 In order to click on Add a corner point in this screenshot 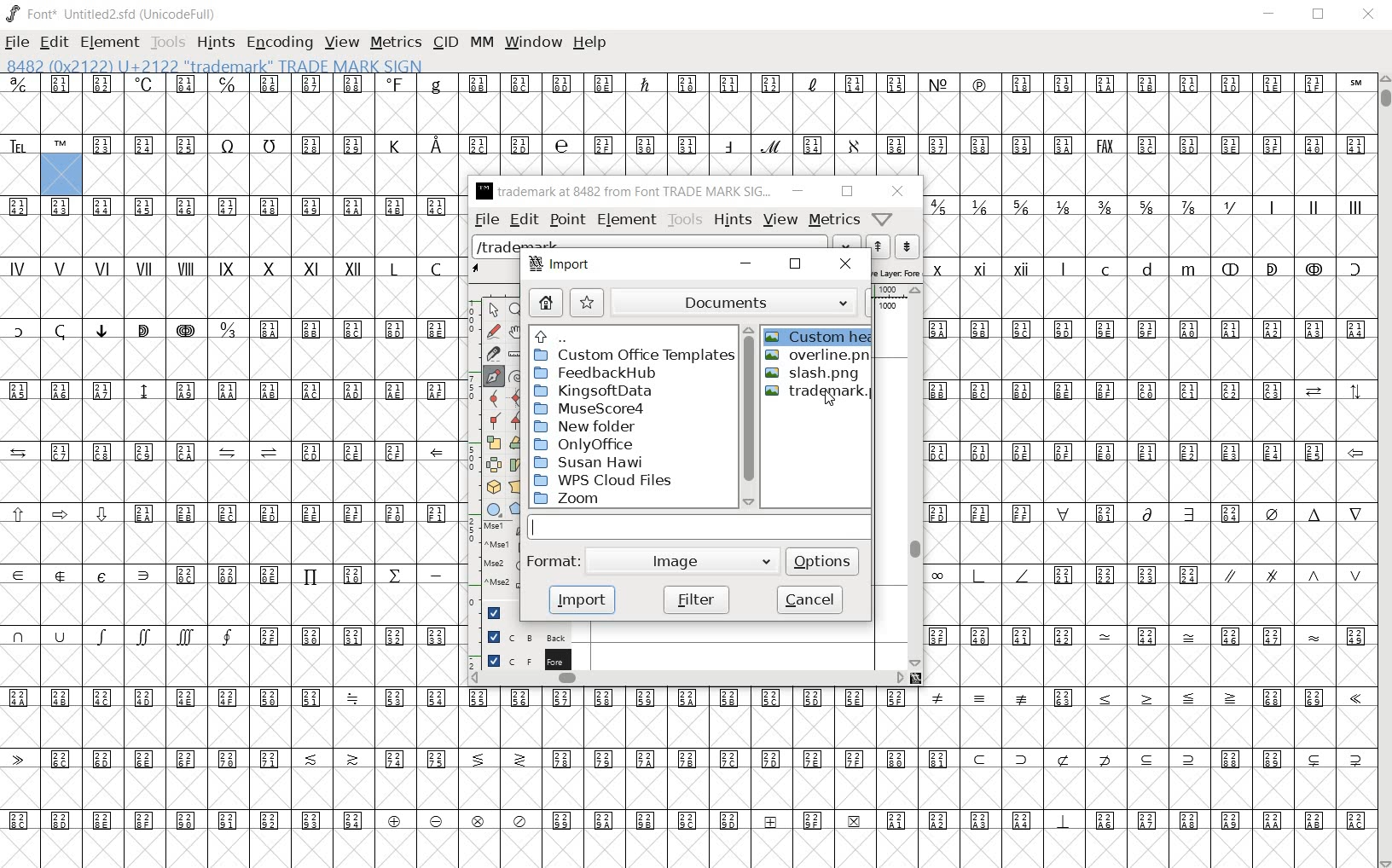, I will do `click(515, 420)`.